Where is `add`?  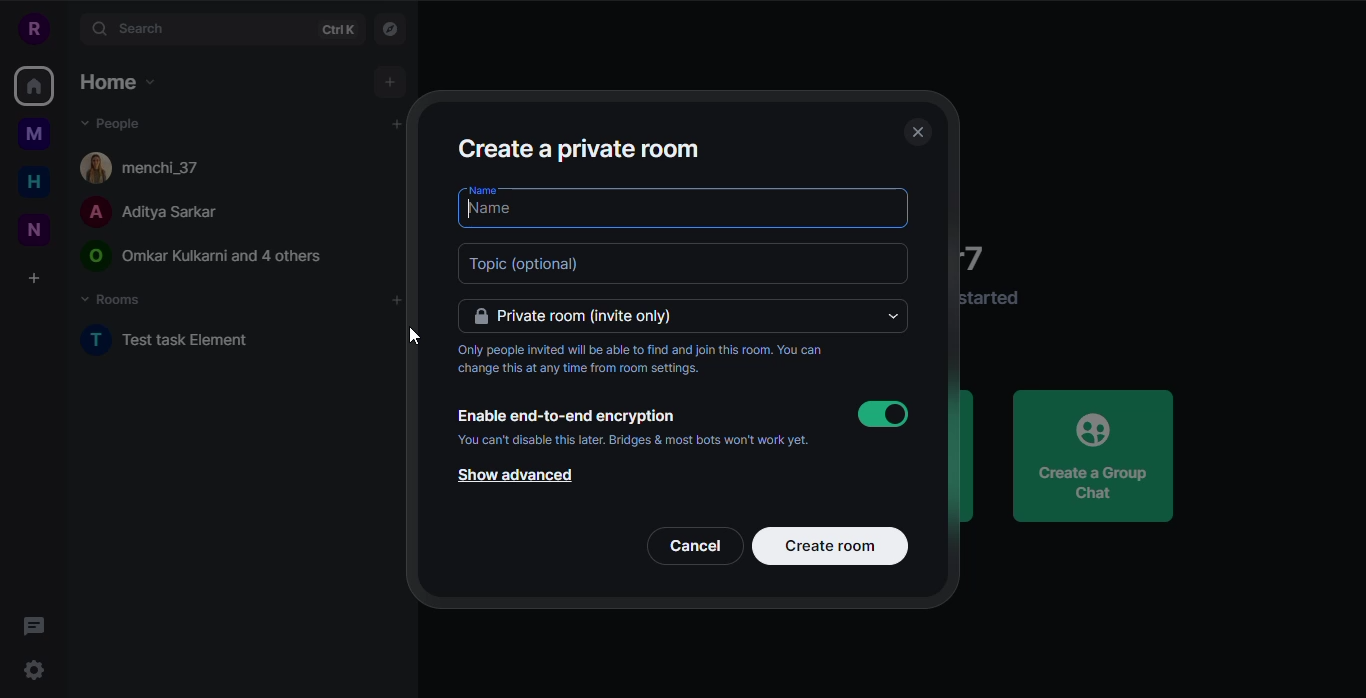 add is located at coordinates (383, 127).